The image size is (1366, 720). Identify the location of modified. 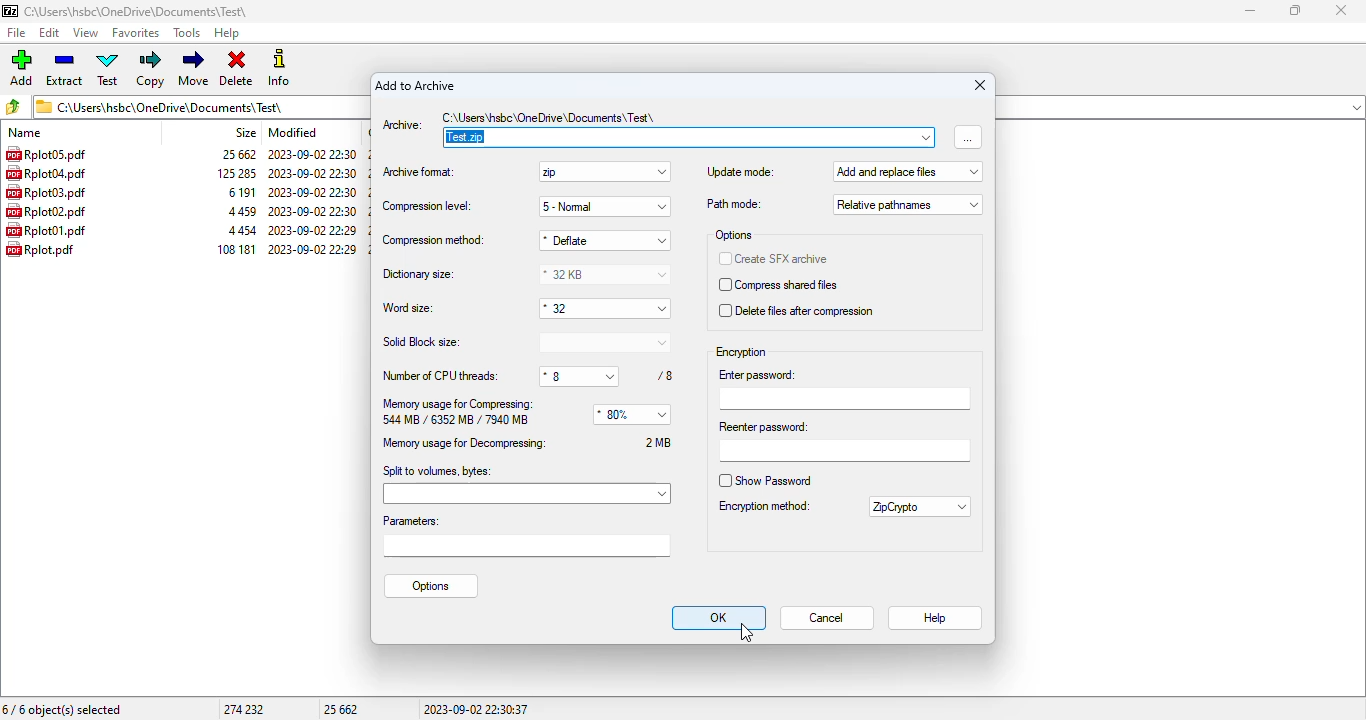
(293, 132).